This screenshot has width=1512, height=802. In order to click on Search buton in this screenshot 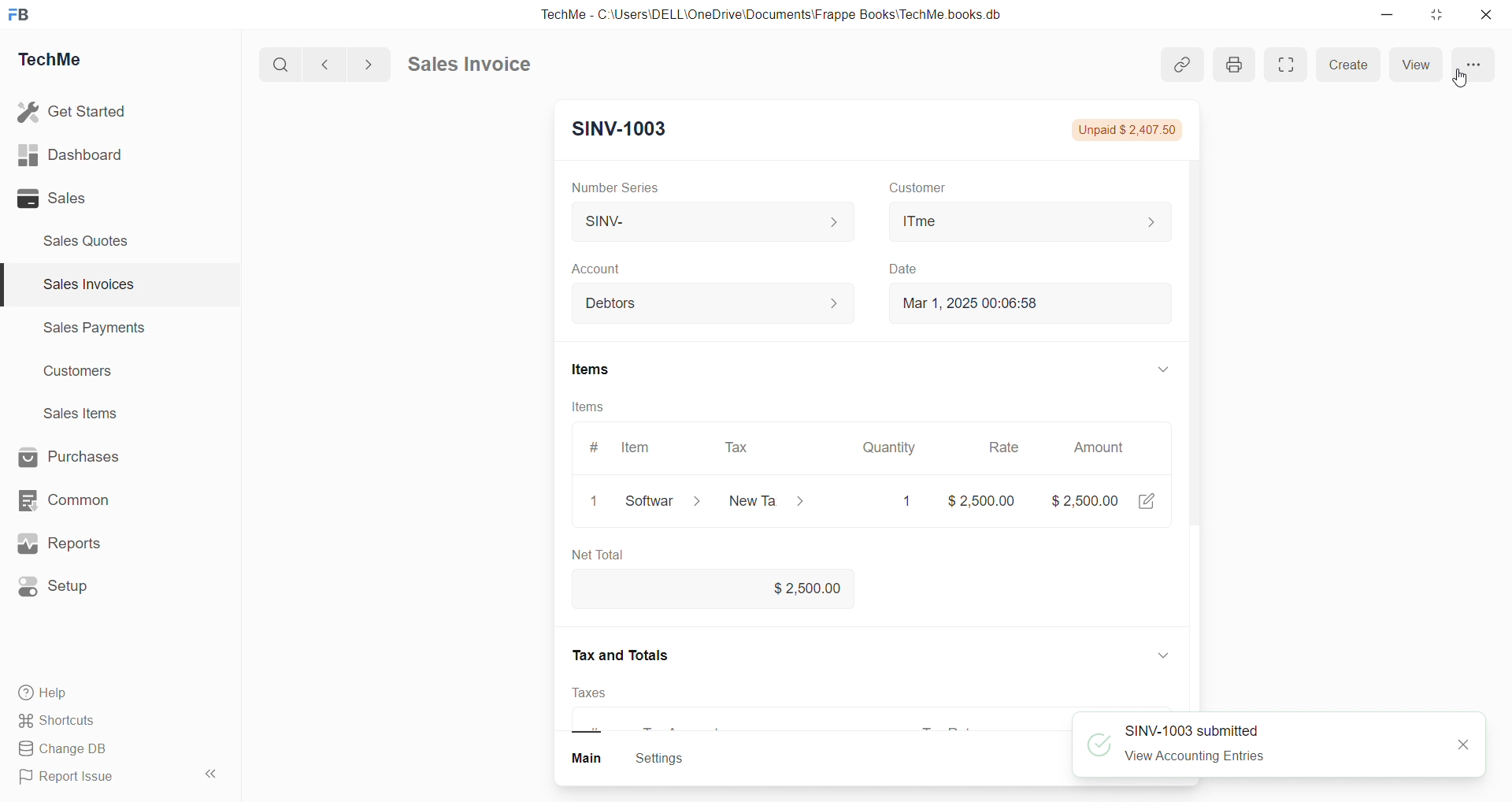, I will do `click(283, 65)`.